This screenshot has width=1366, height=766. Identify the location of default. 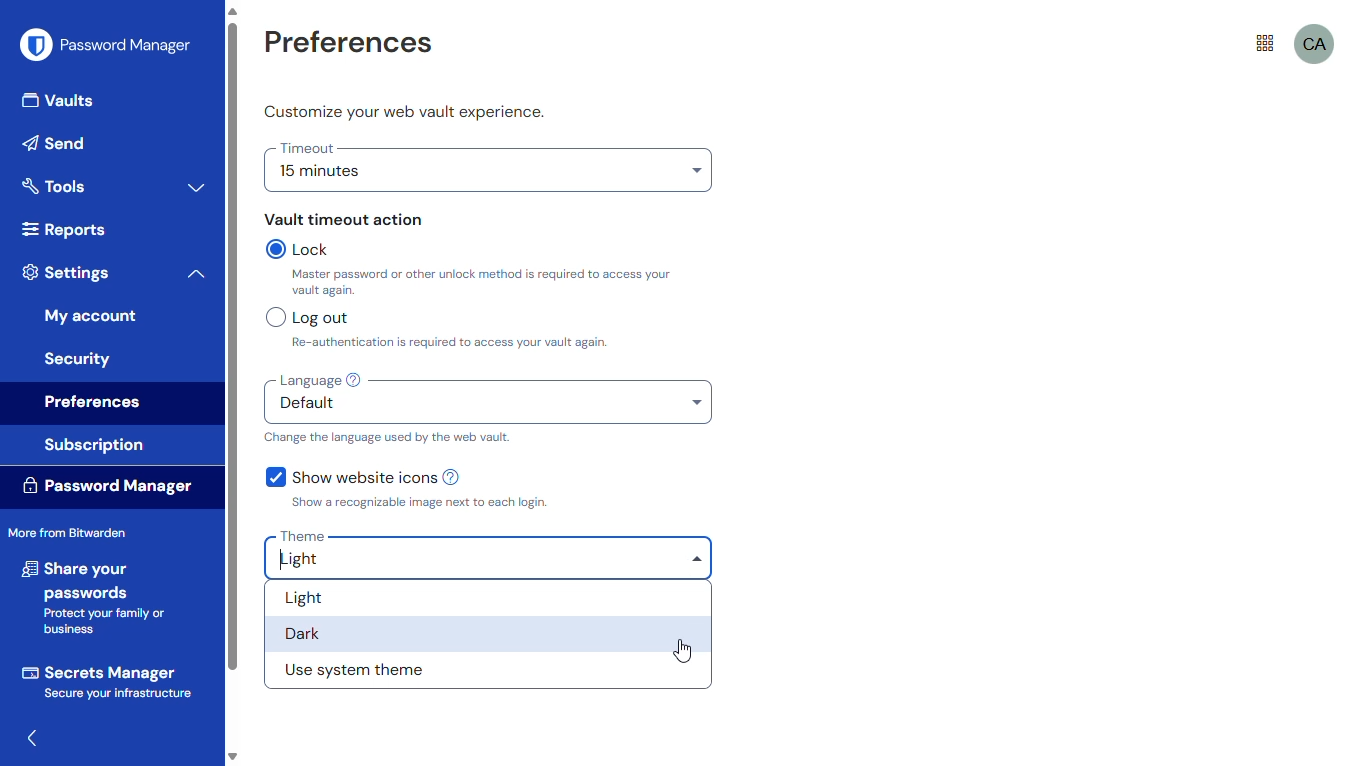
(490, 405).